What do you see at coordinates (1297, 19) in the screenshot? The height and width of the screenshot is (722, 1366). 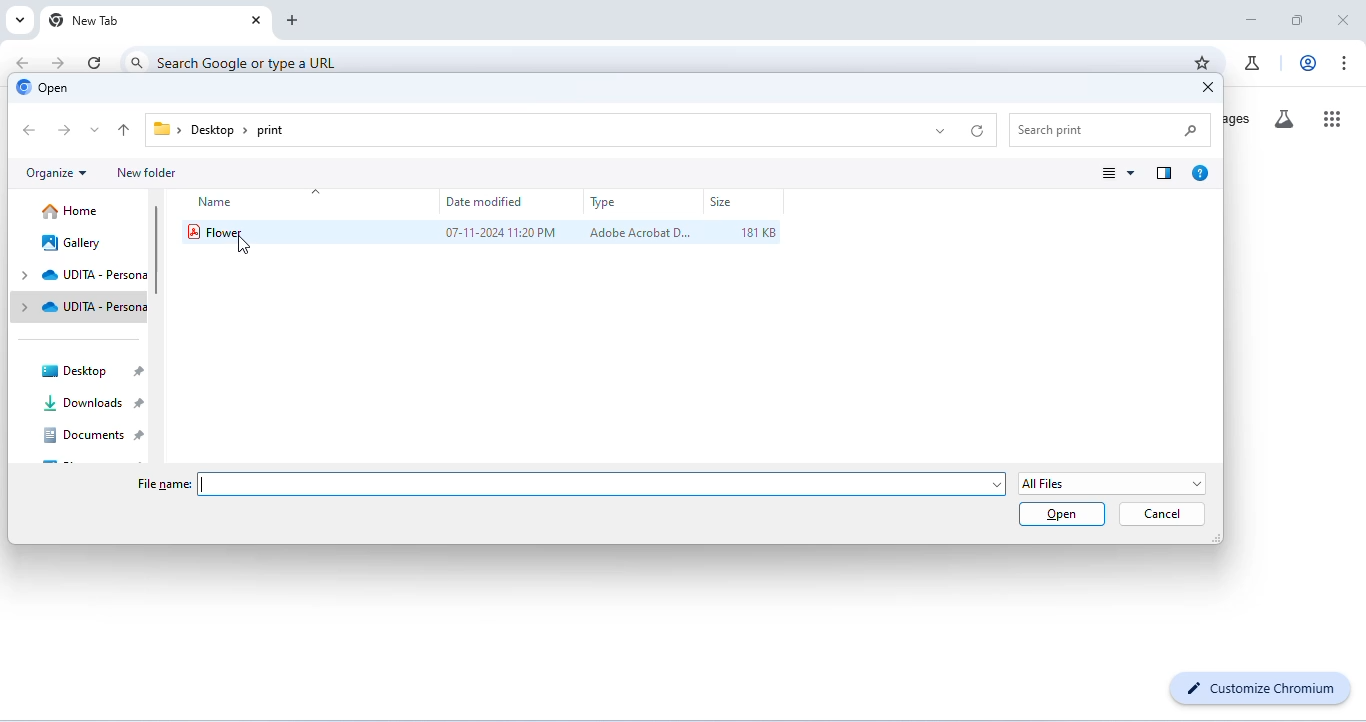 I see `maximize` at bounding box center [1297, 19].